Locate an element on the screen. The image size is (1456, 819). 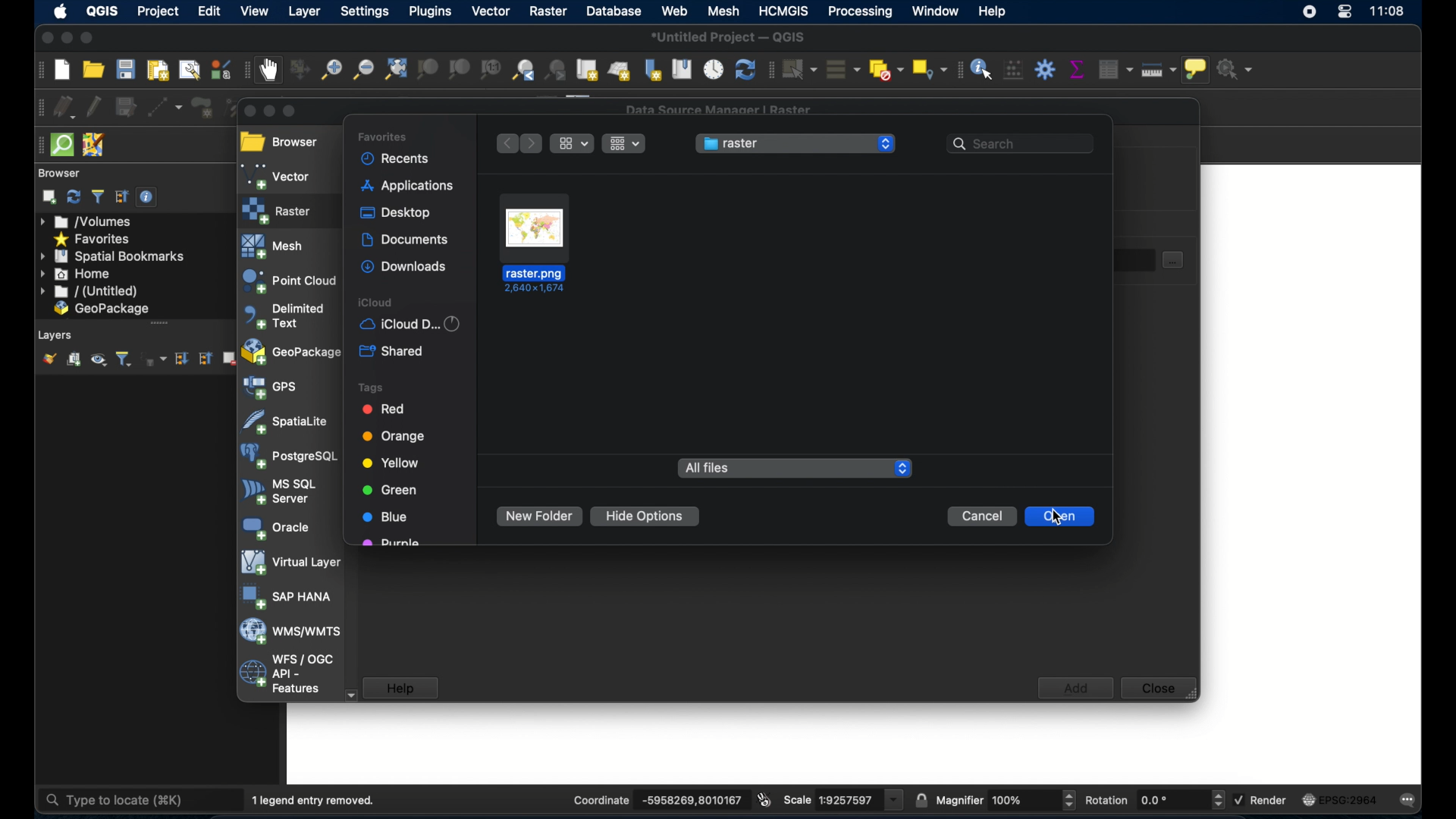
toolbox is located at coordinates (1046, 69).